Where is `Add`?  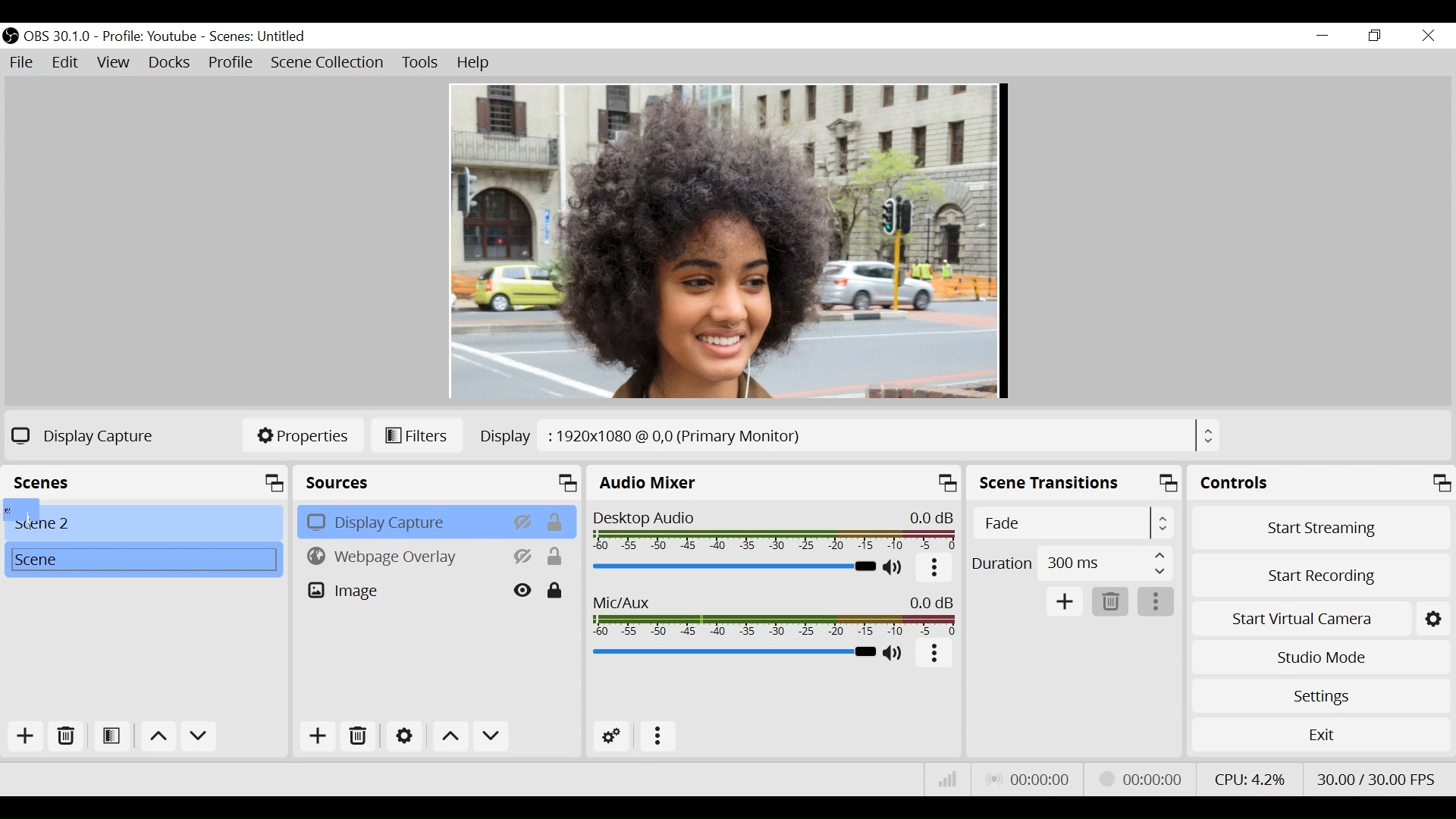 Add is located at coordinates (319, 735).